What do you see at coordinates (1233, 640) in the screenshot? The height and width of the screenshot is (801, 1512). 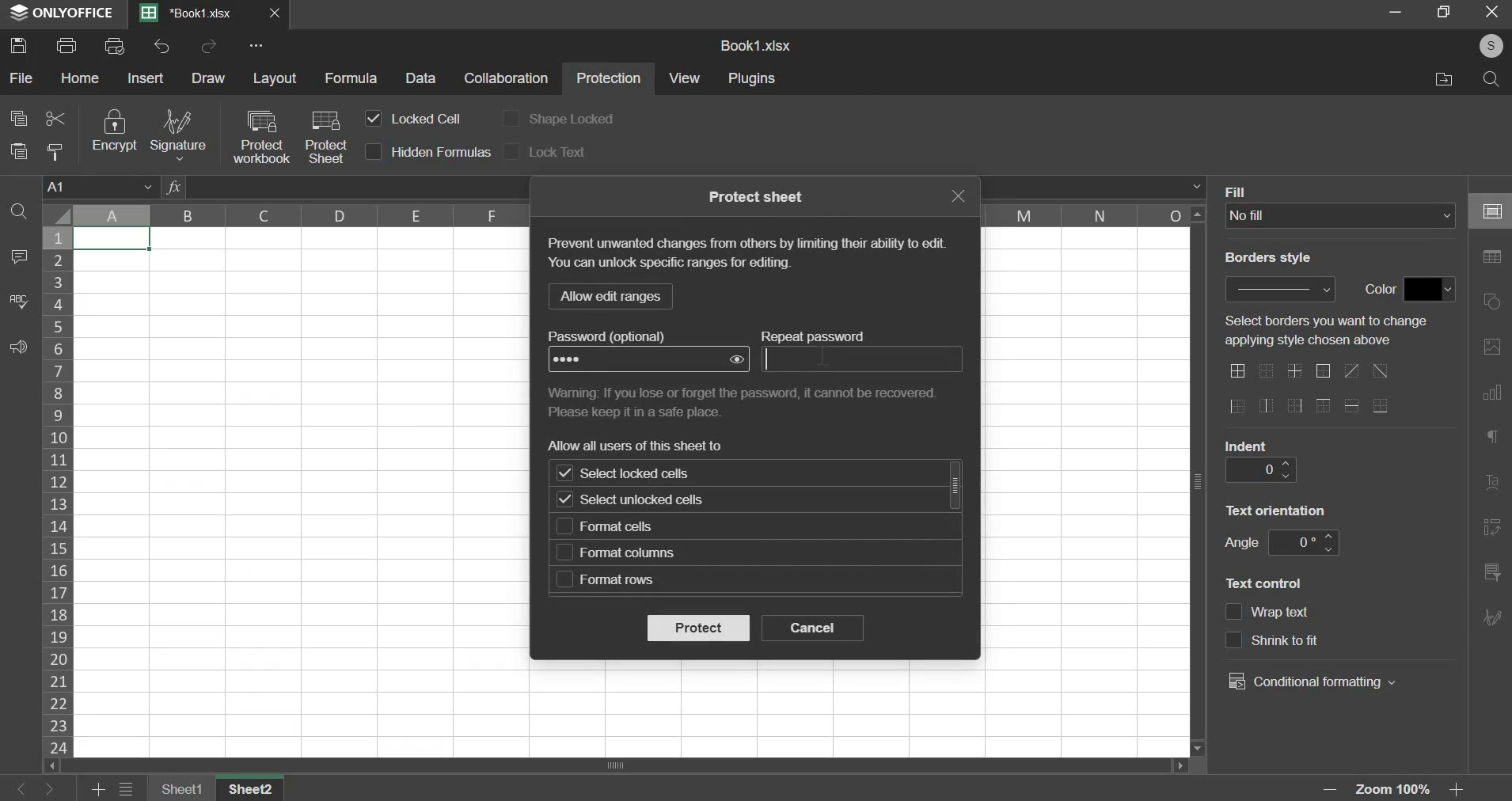 I see `checkbox` at bounding box center [1233, 640].